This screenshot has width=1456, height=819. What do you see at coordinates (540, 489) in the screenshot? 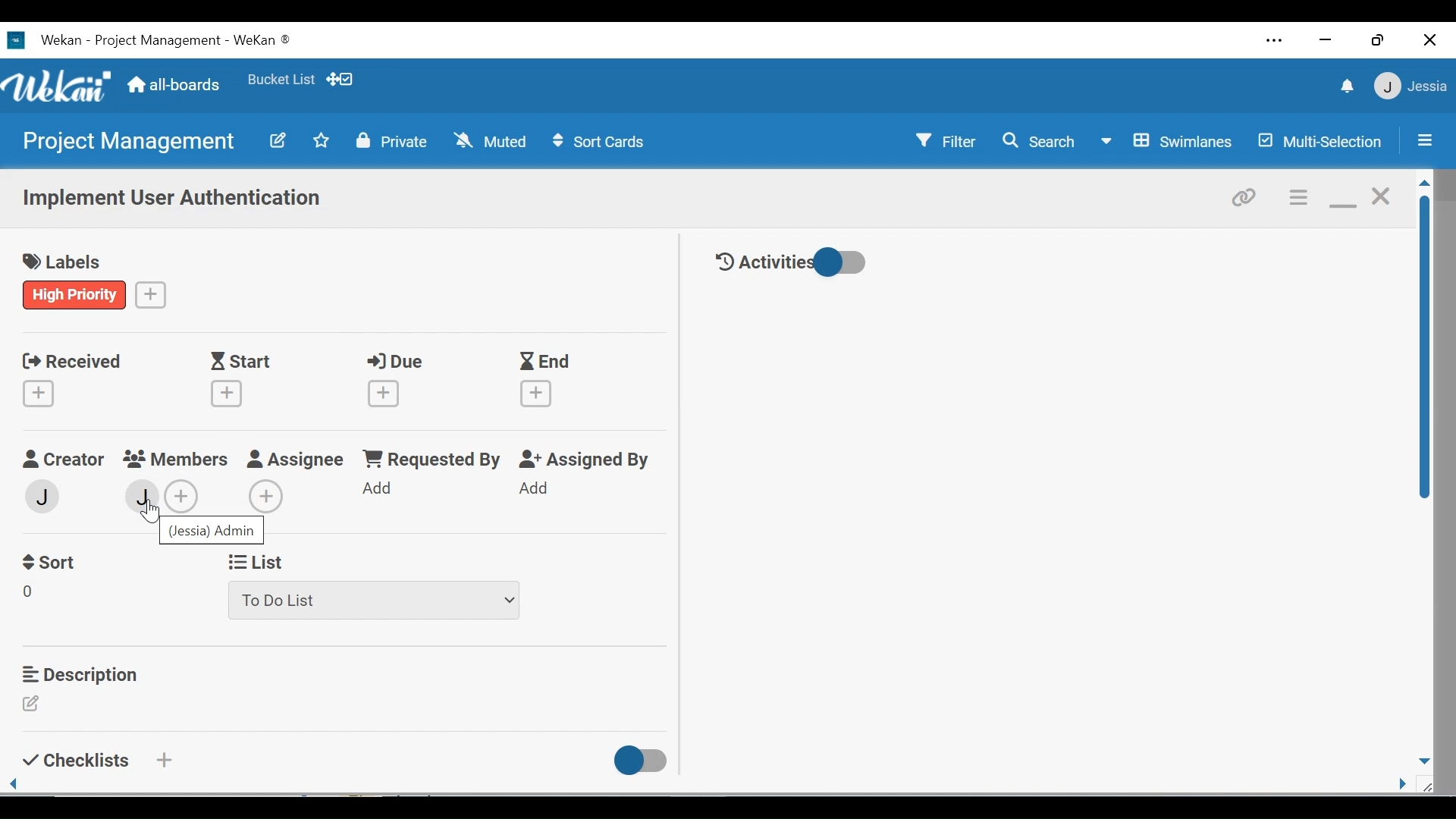
I see `add` at bounding box center [540, 489].